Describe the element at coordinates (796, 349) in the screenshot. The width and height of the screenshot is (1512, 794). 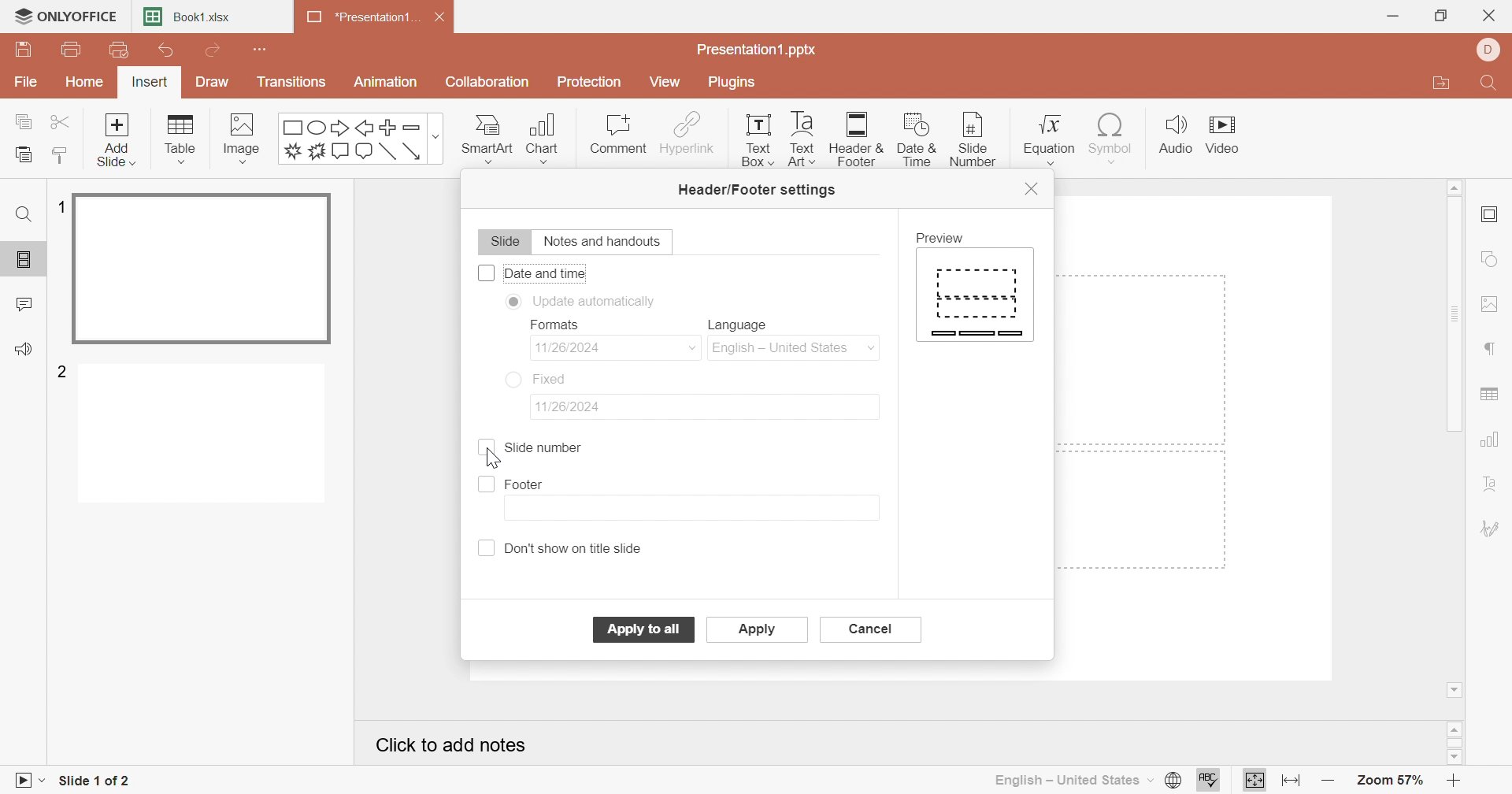
I see `English - United States` at that location.